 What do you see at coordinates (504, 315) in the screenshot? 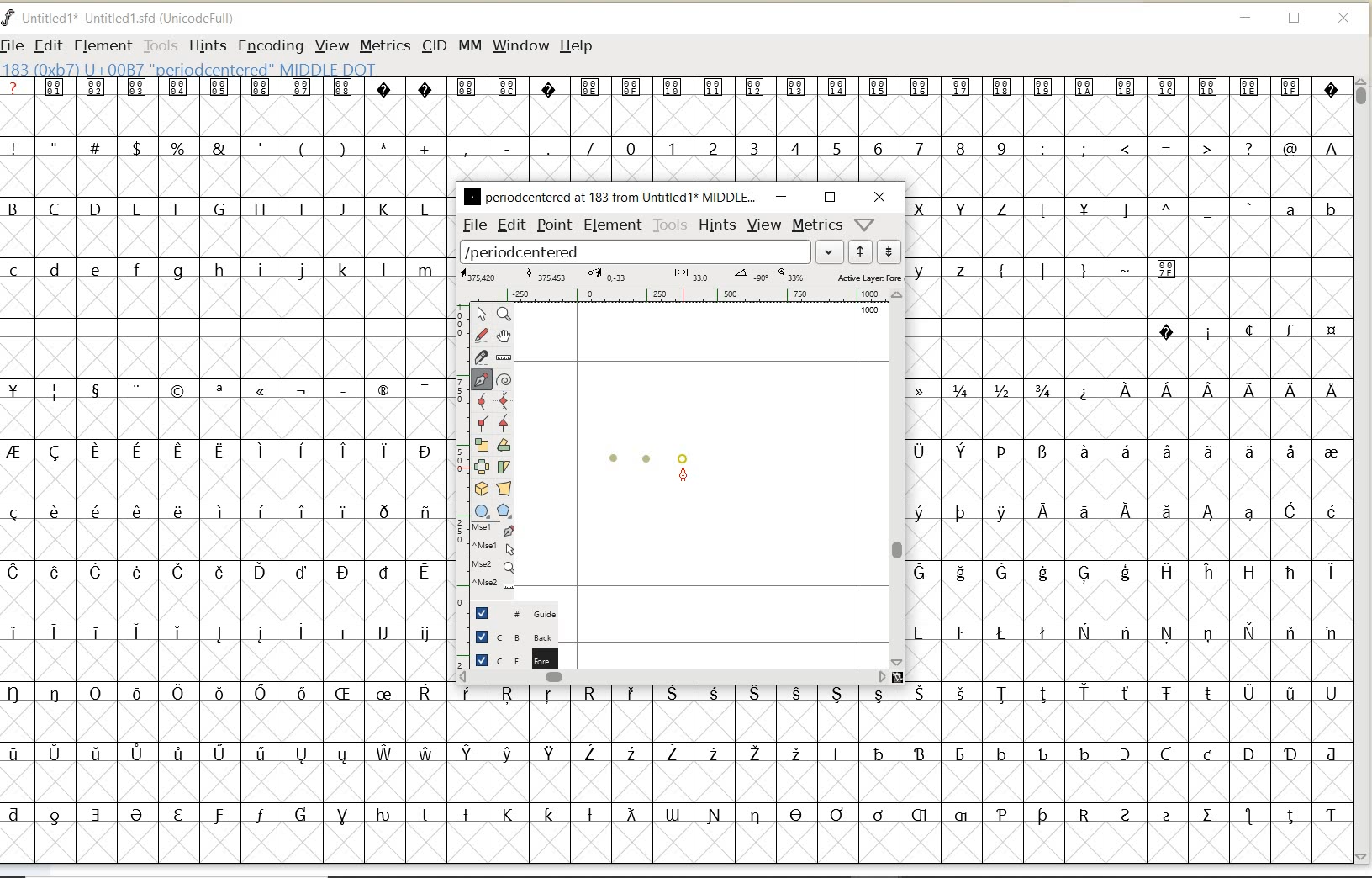
I see `Magnify` at bounding box center [504, 315].